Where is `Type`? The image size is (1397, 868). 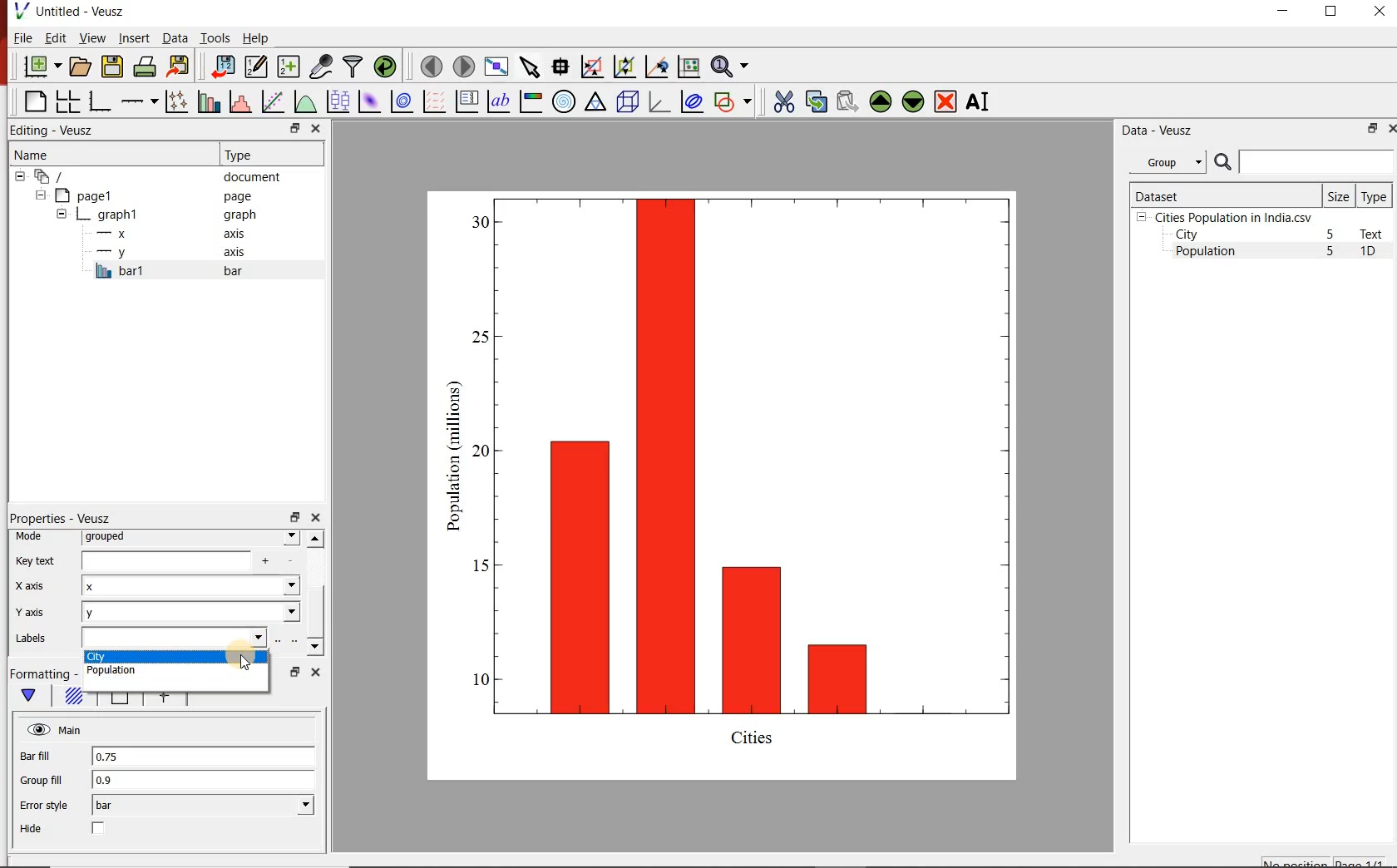 Type is located at coordinates (269, 155).